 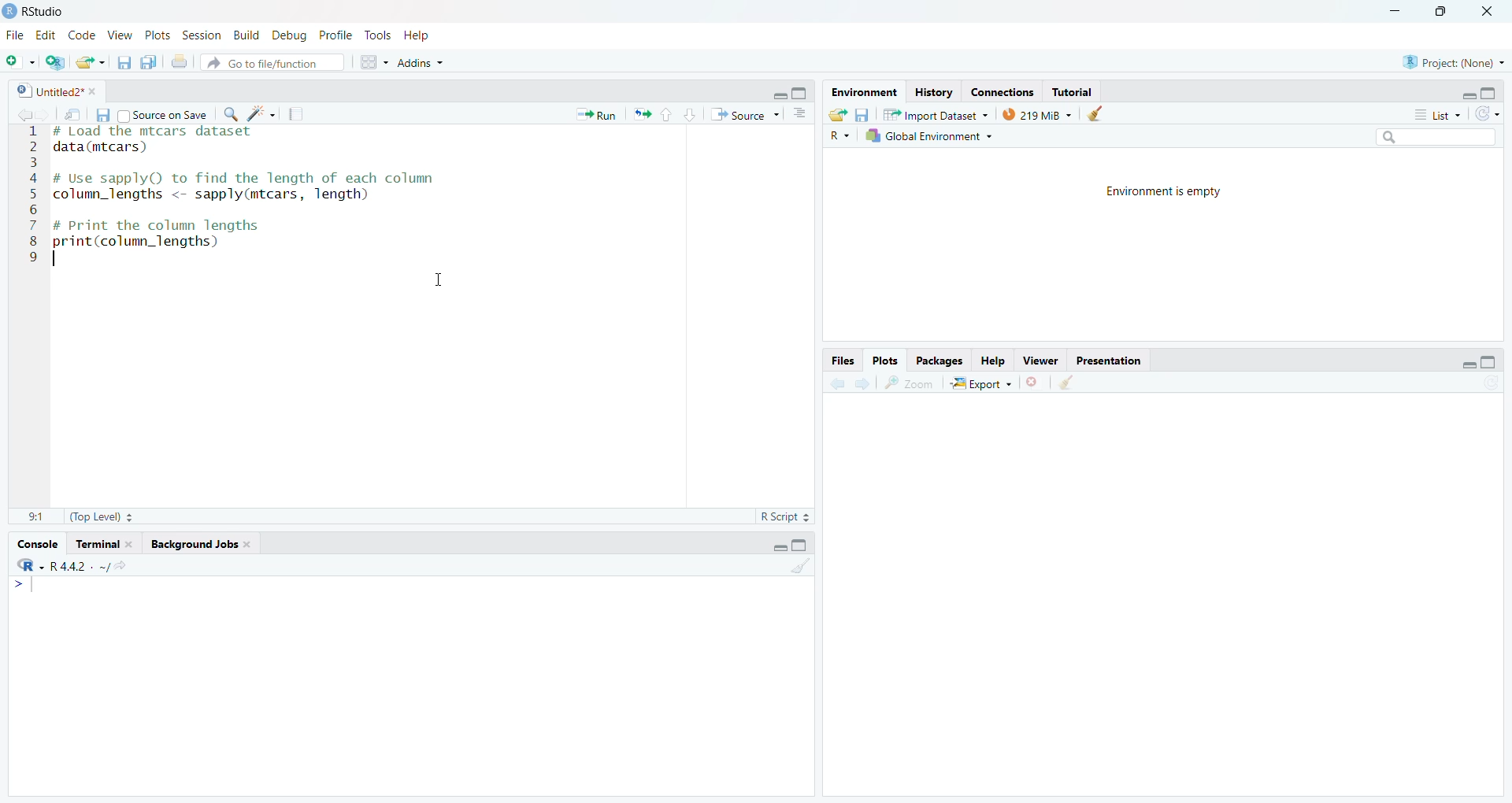 What do you see at coordinates (596, 113) in the screenshot?
I see `Run current line or section` at bounding box center [596, 113].